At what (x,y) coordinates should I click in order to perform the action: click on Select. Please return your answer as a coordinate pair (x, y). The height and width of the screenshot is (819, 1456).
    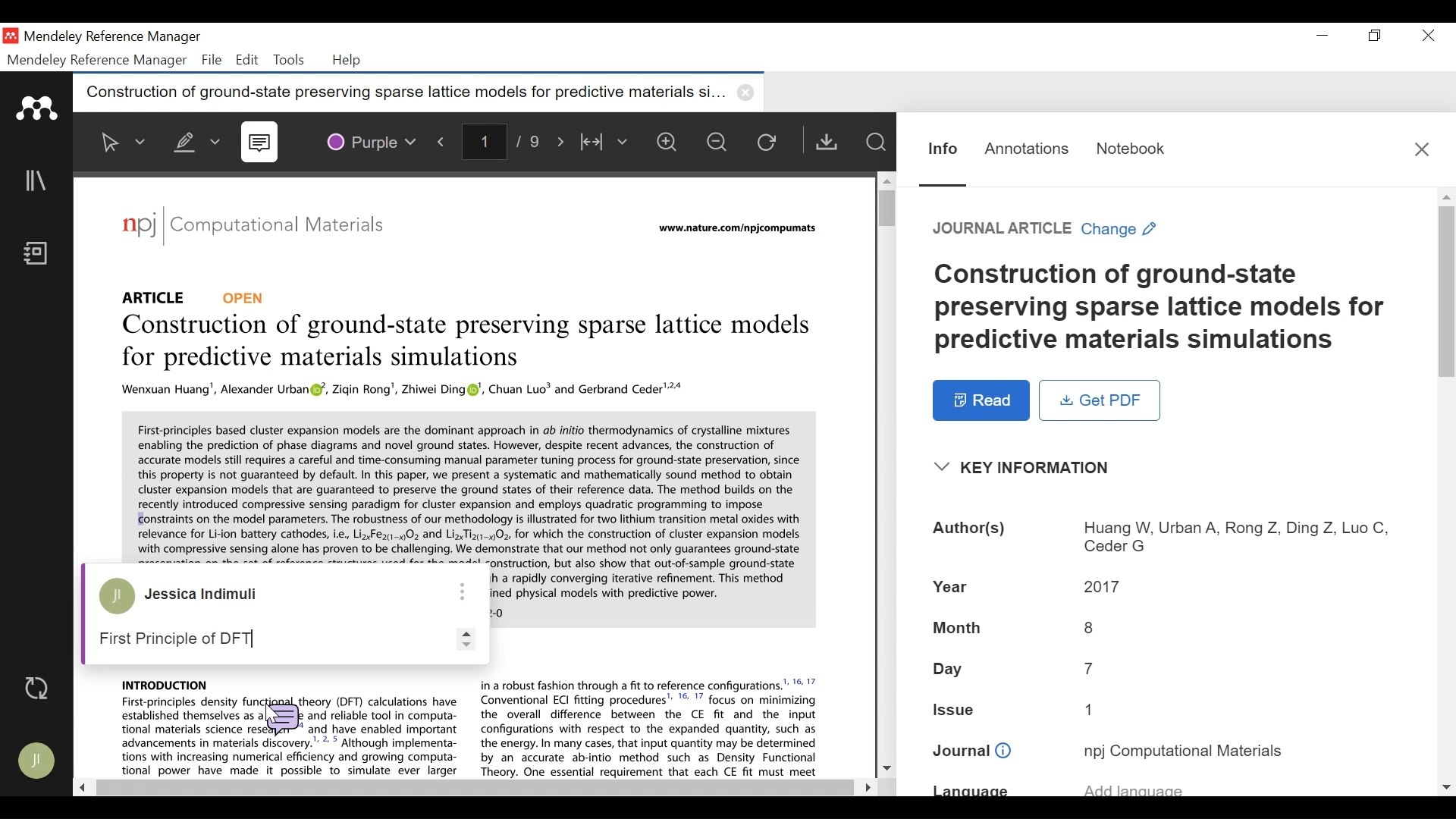
    Looking at the image, I should click on (121, 142).